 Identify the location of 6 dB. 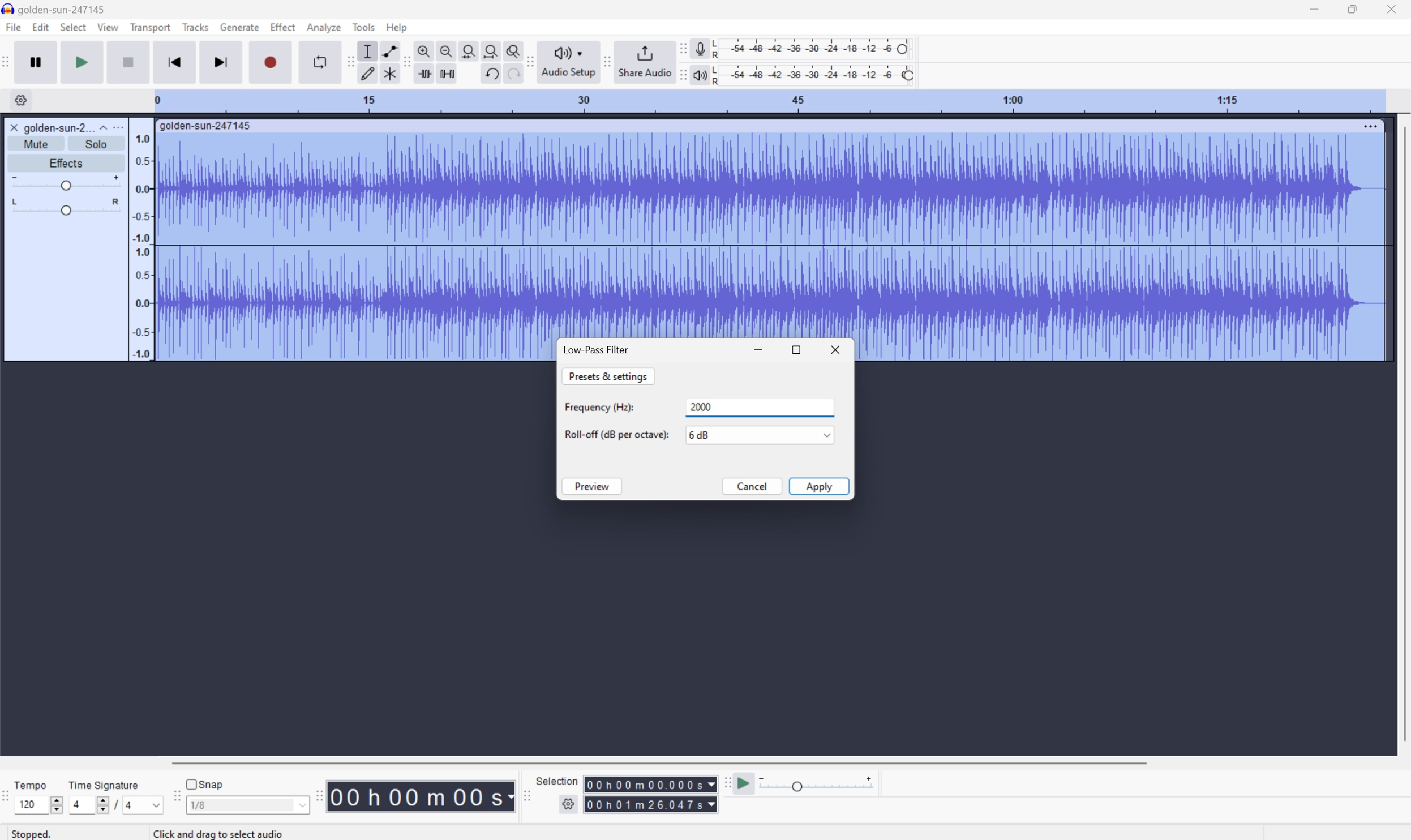
(749, 435).